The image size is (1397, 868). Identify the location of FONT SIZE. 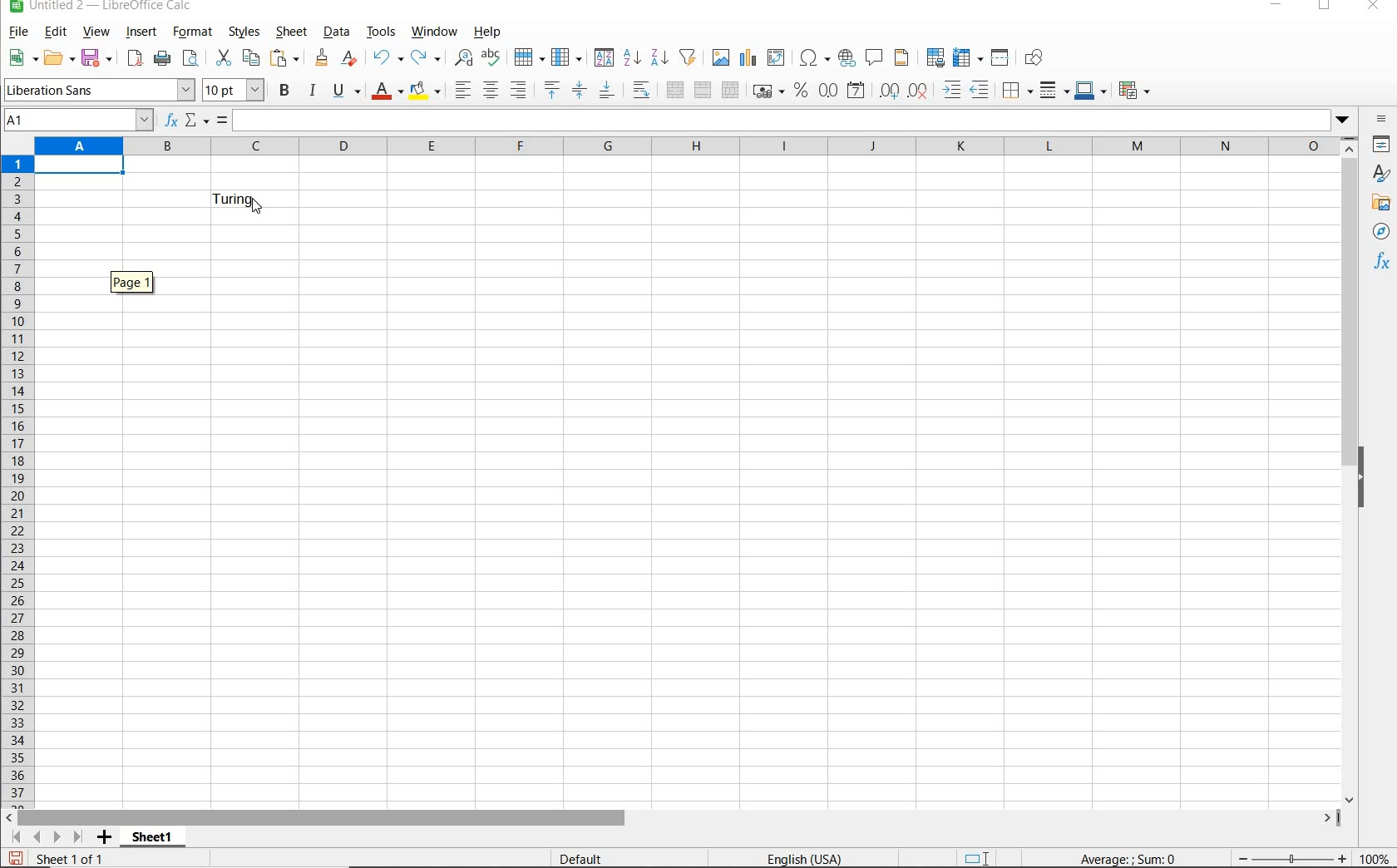
(234, 91).